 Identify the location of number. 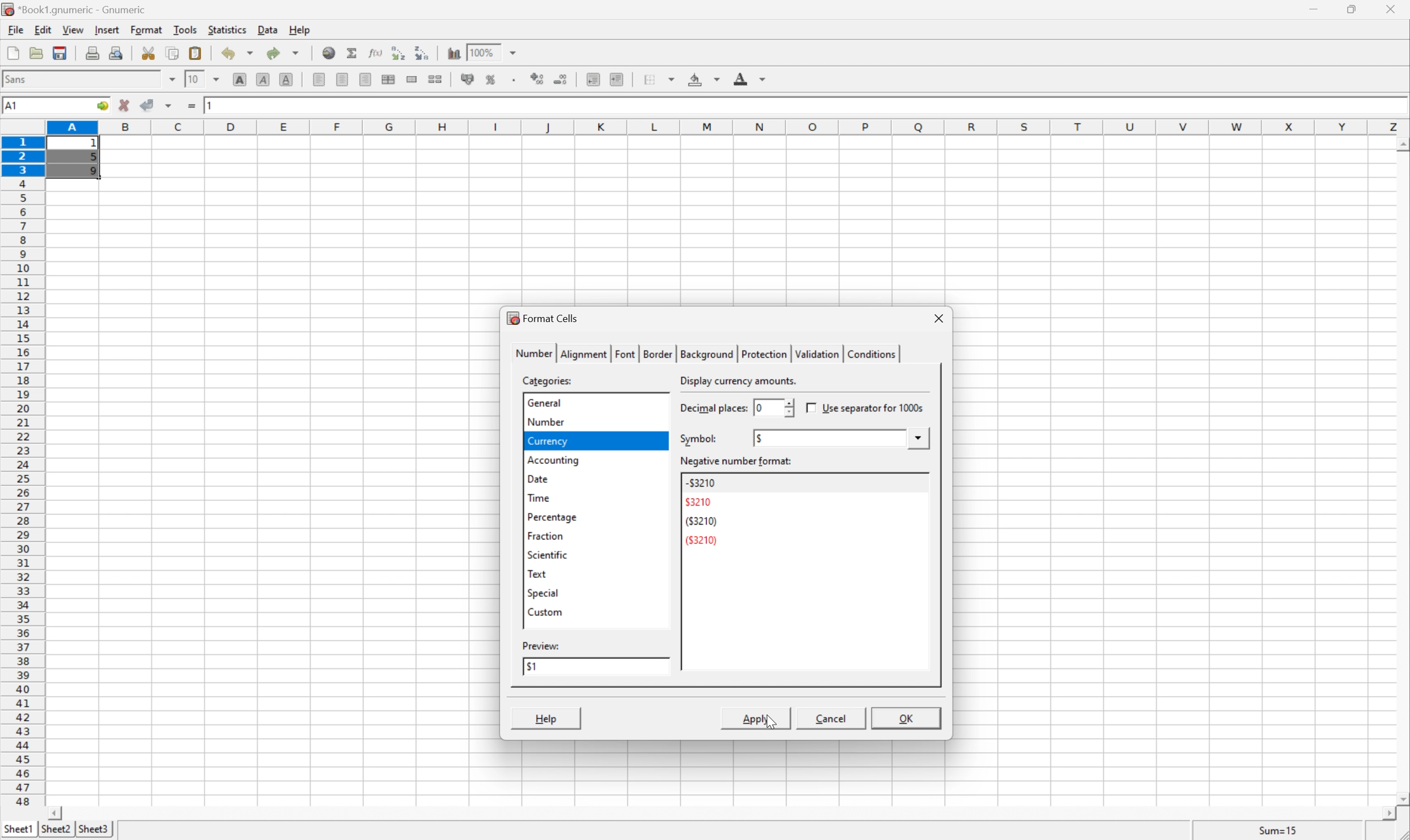
(544, 421).